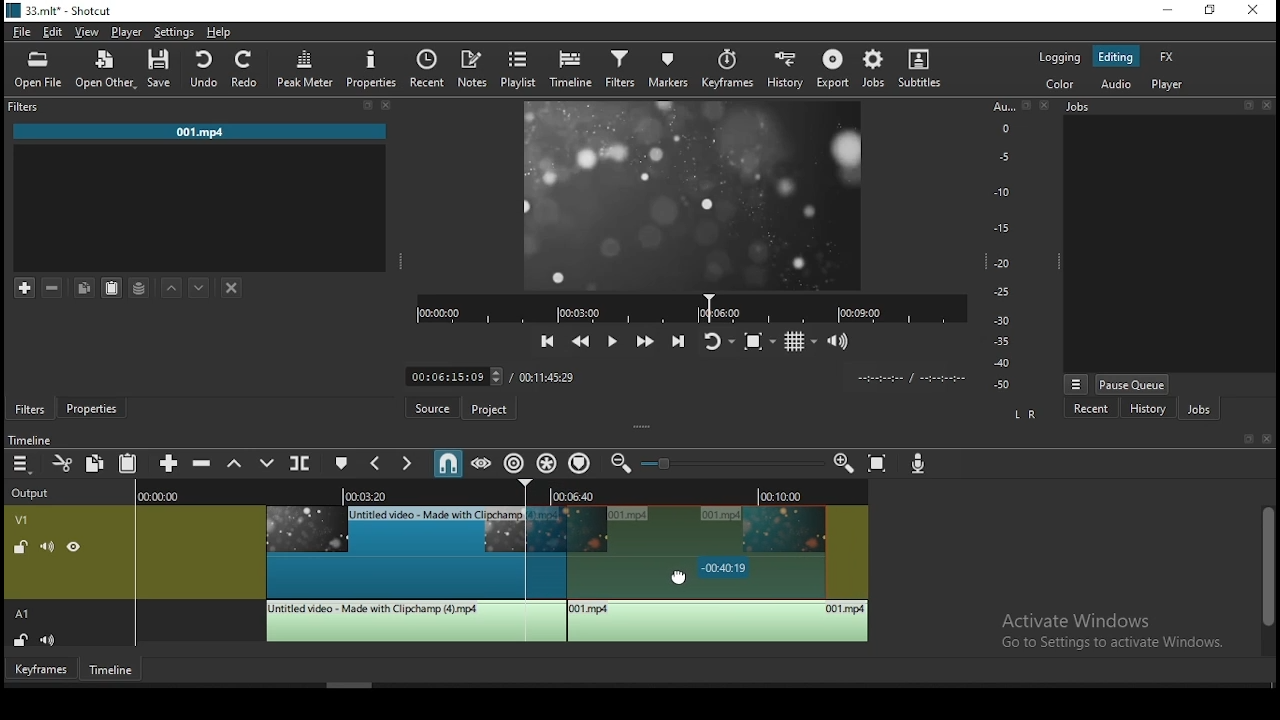 This screenshot has height=720, width=1280. Describe the element at coordinates (207, 69) in the screenshot. I see `undo` at that location.